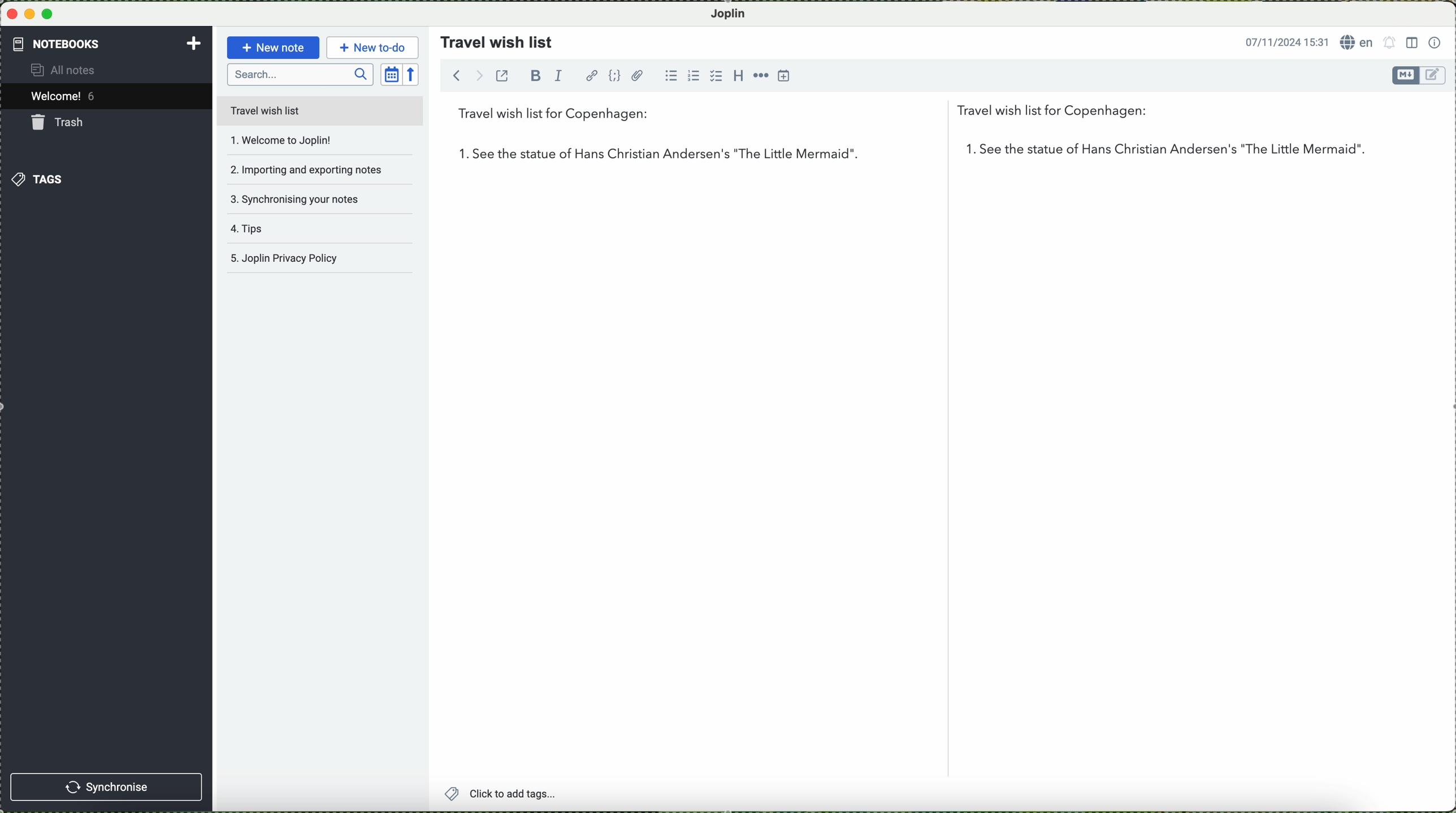 The height and width of the screenshot is (813, 1456). Describe the element at coordinates (66, 98) in the screenshot. I see `welcome 5` at that location.